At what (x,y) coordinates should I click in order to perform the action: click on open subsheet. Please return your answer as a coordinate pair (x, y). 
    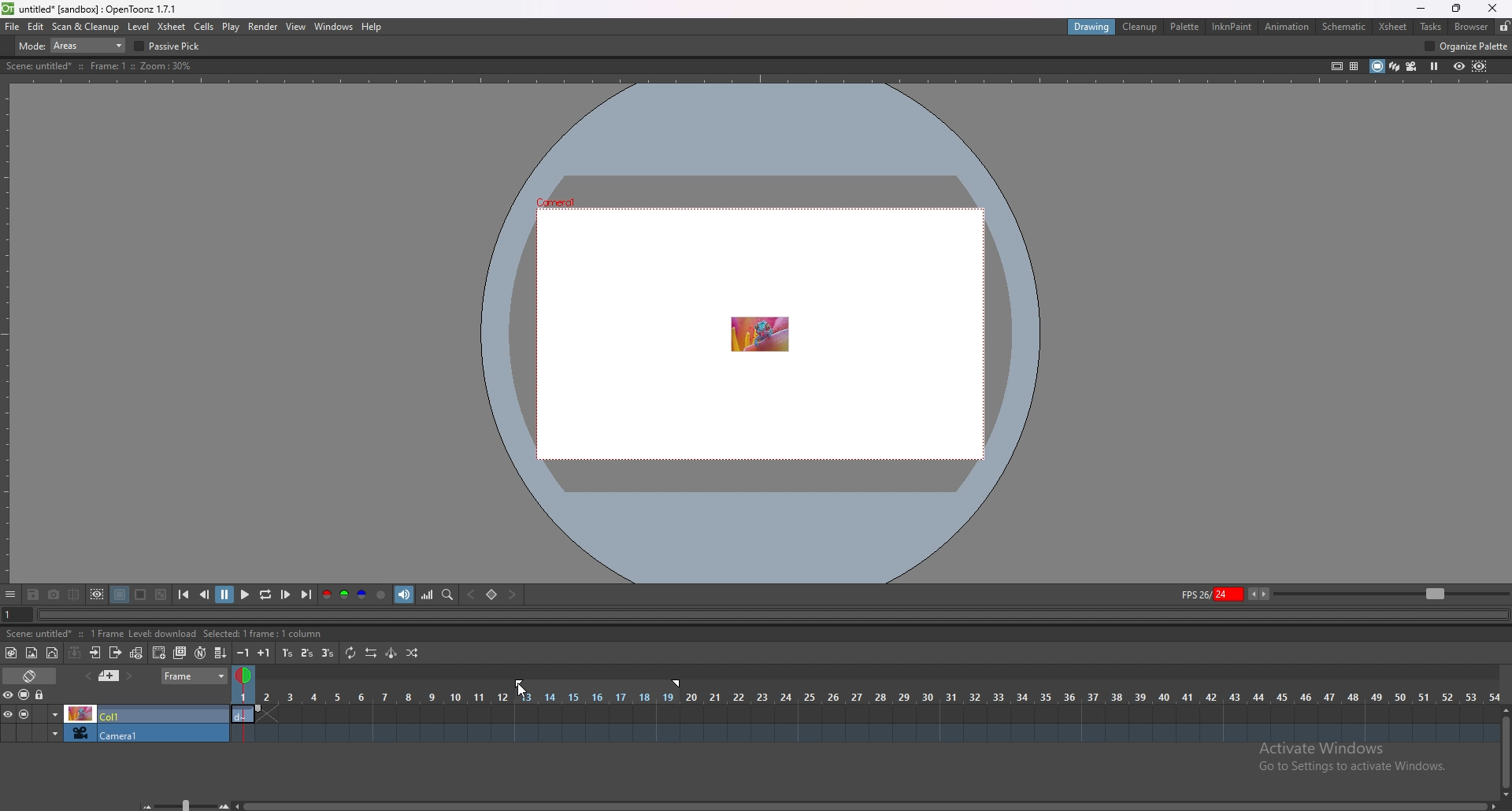
    Looking at the image, I should click on (95, 653).